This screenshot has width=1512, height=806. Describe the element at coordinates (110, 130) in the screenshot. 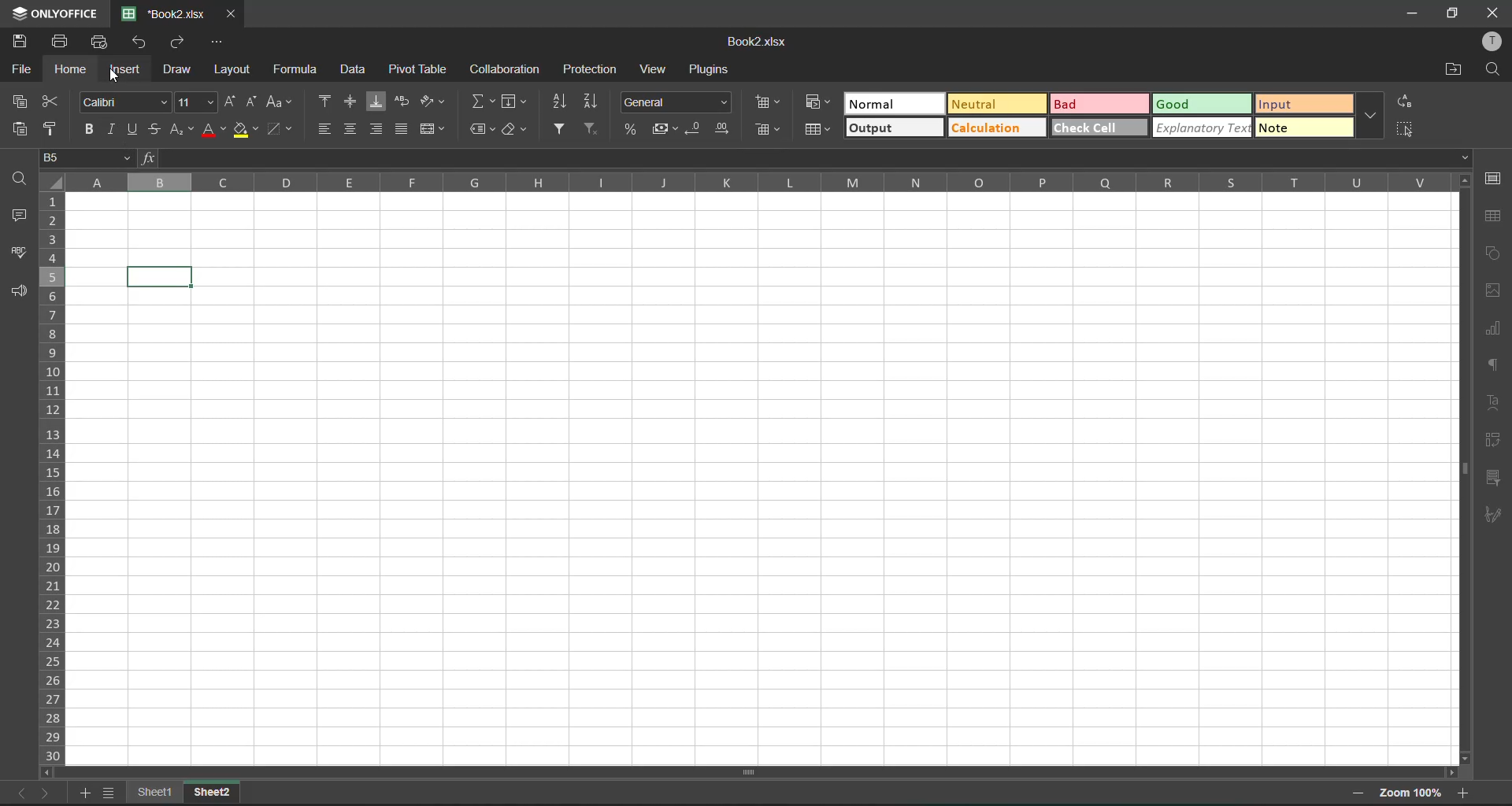

I see `italic` at that location.